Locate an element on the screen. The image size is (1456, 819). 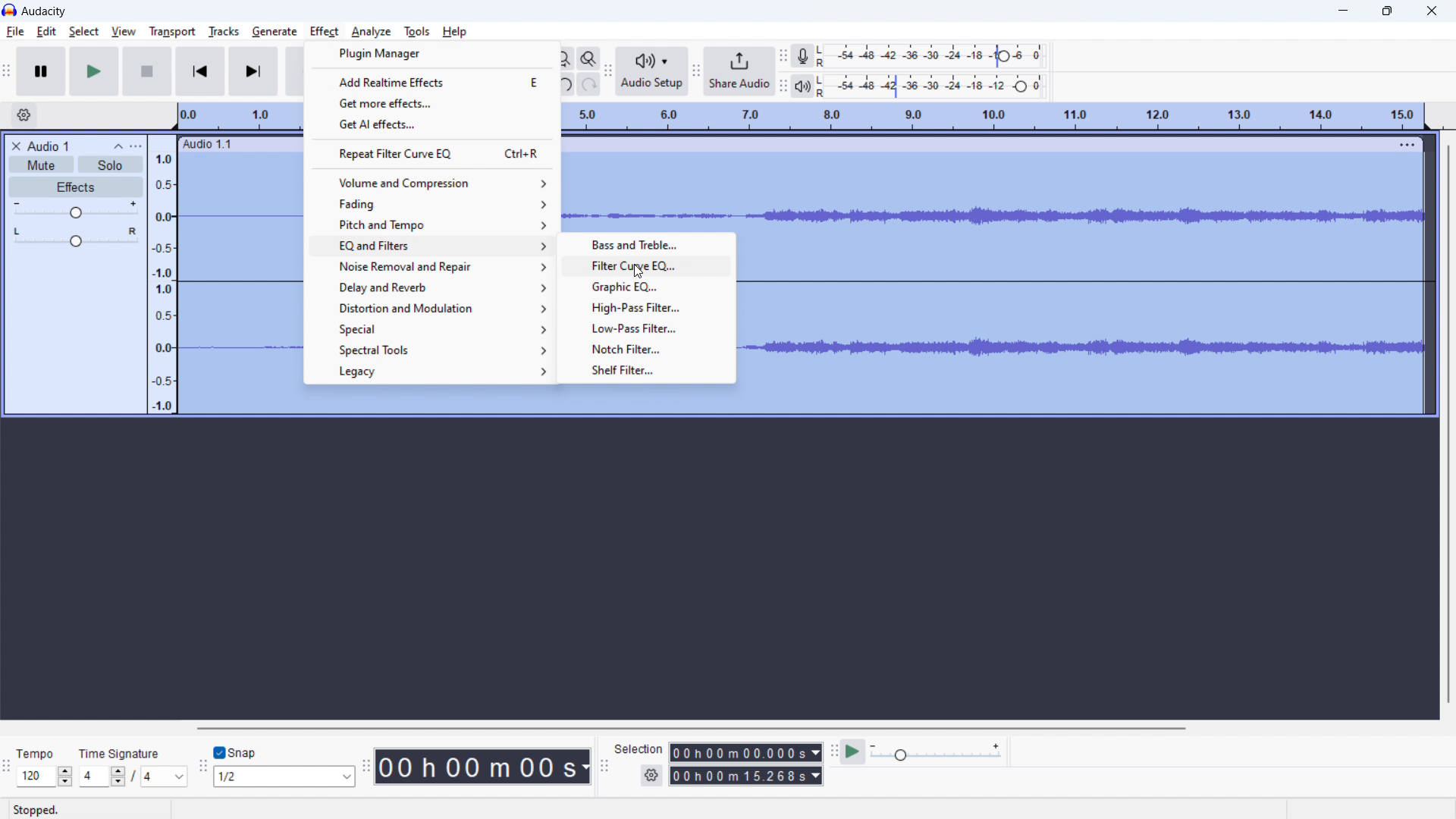
delete audio is located at coordinates (15, 146).